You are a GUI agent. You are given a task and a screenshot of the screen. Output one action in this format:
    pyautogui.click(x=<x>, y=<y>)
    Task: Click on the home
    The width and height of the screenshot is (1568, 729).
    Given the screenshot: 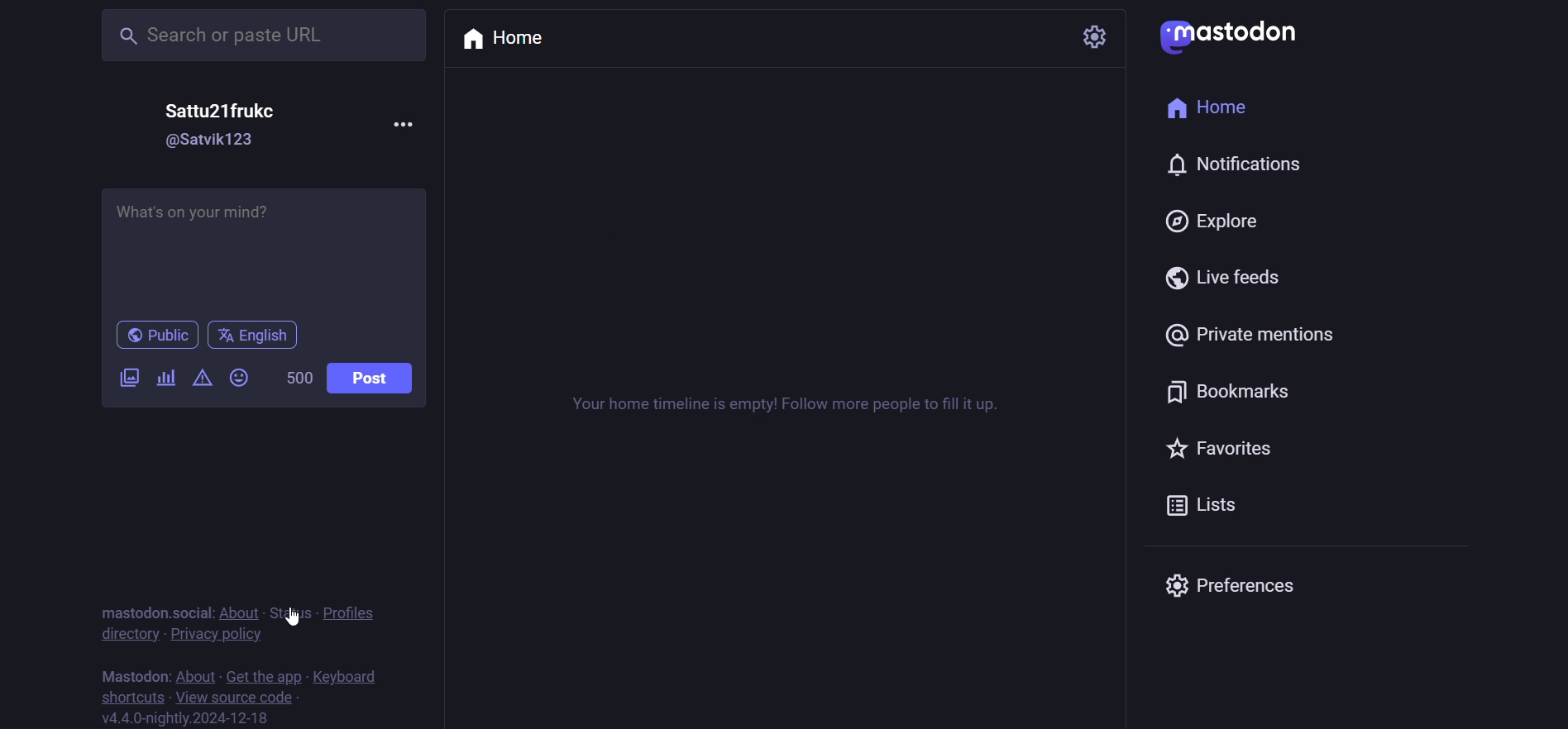 What is the action you would take?
    pyautogui.click(x=1207, y=108)
    